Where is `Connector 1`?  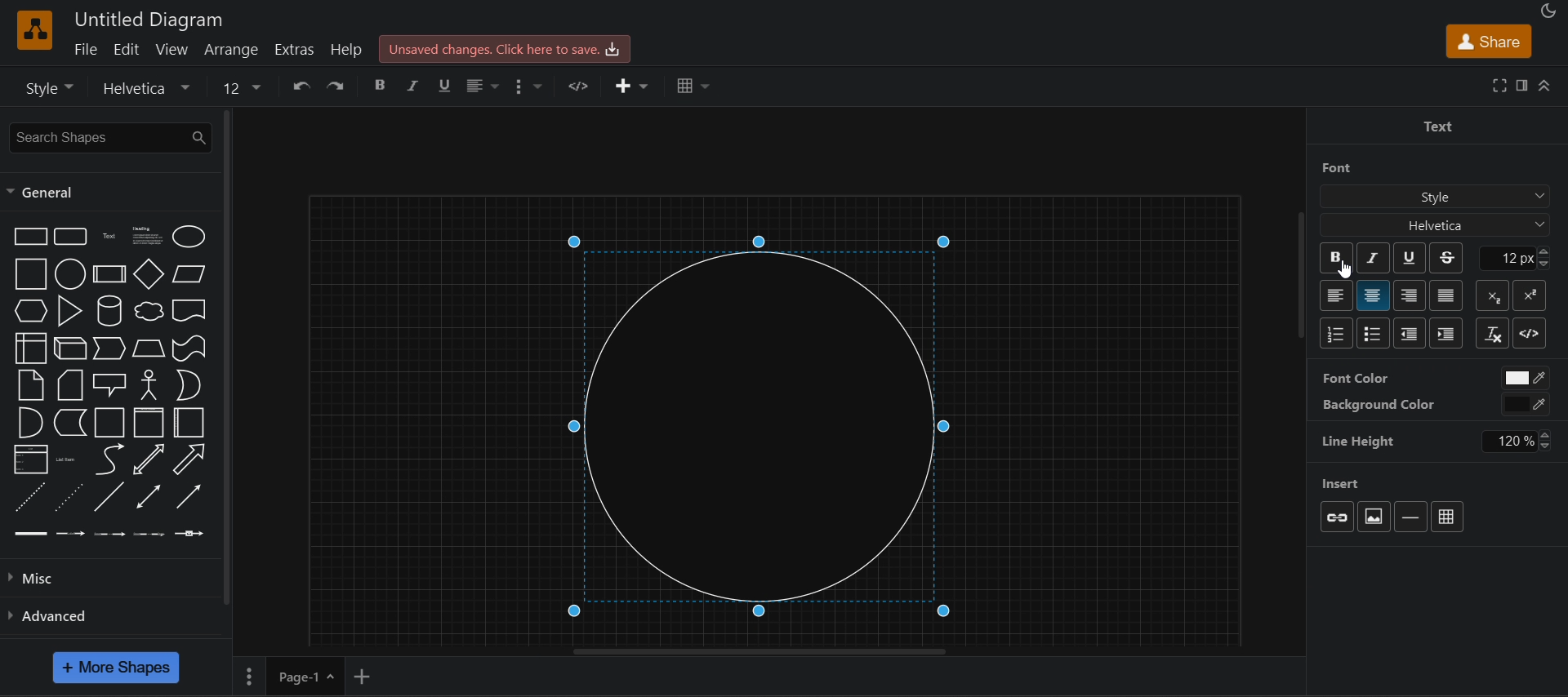 Connector 1 is located at coordinates (27, 531).